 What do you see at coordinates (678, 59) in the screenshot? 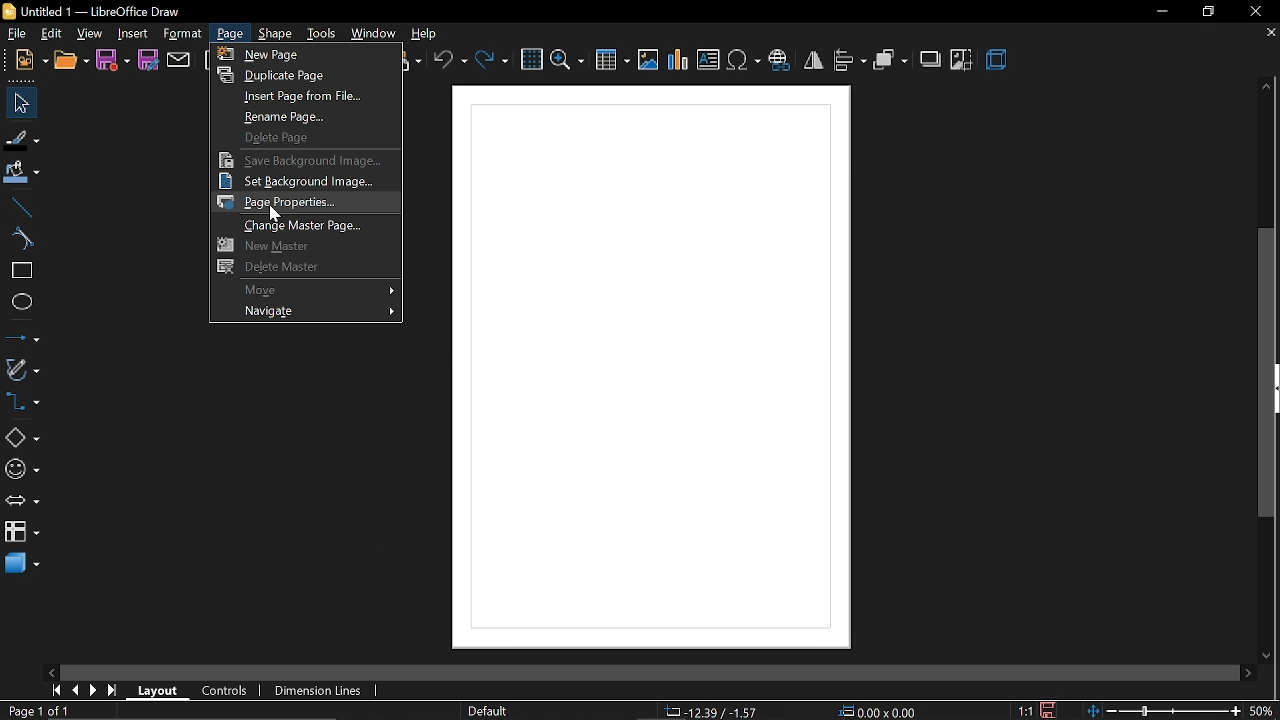
I see `insert chart` at bounding box center [678, 59].